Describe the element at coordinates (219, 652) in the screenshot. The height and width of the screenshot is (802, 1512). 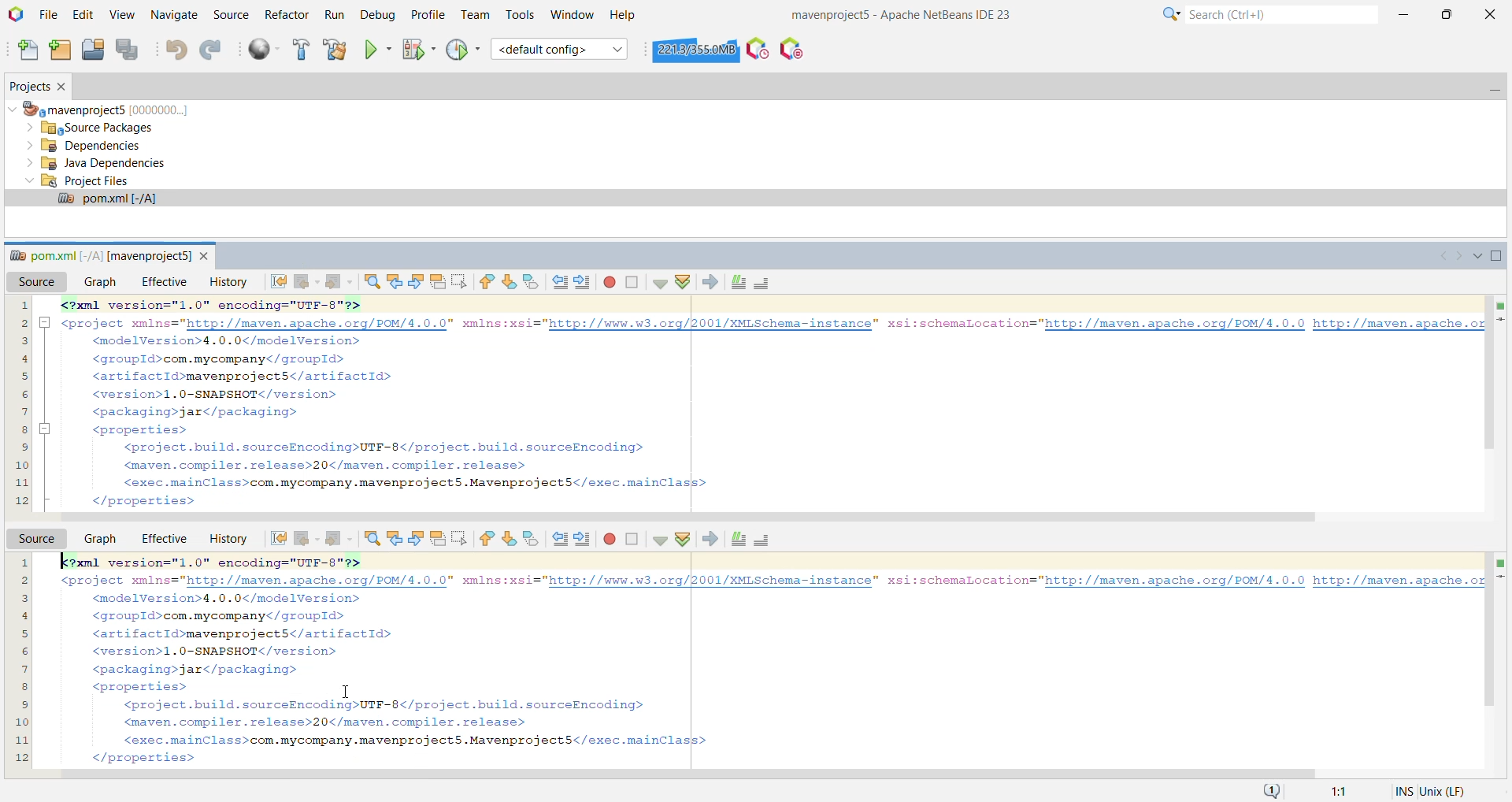
I see `<version>1l.0-SNAPSHOT</version>` at that location.